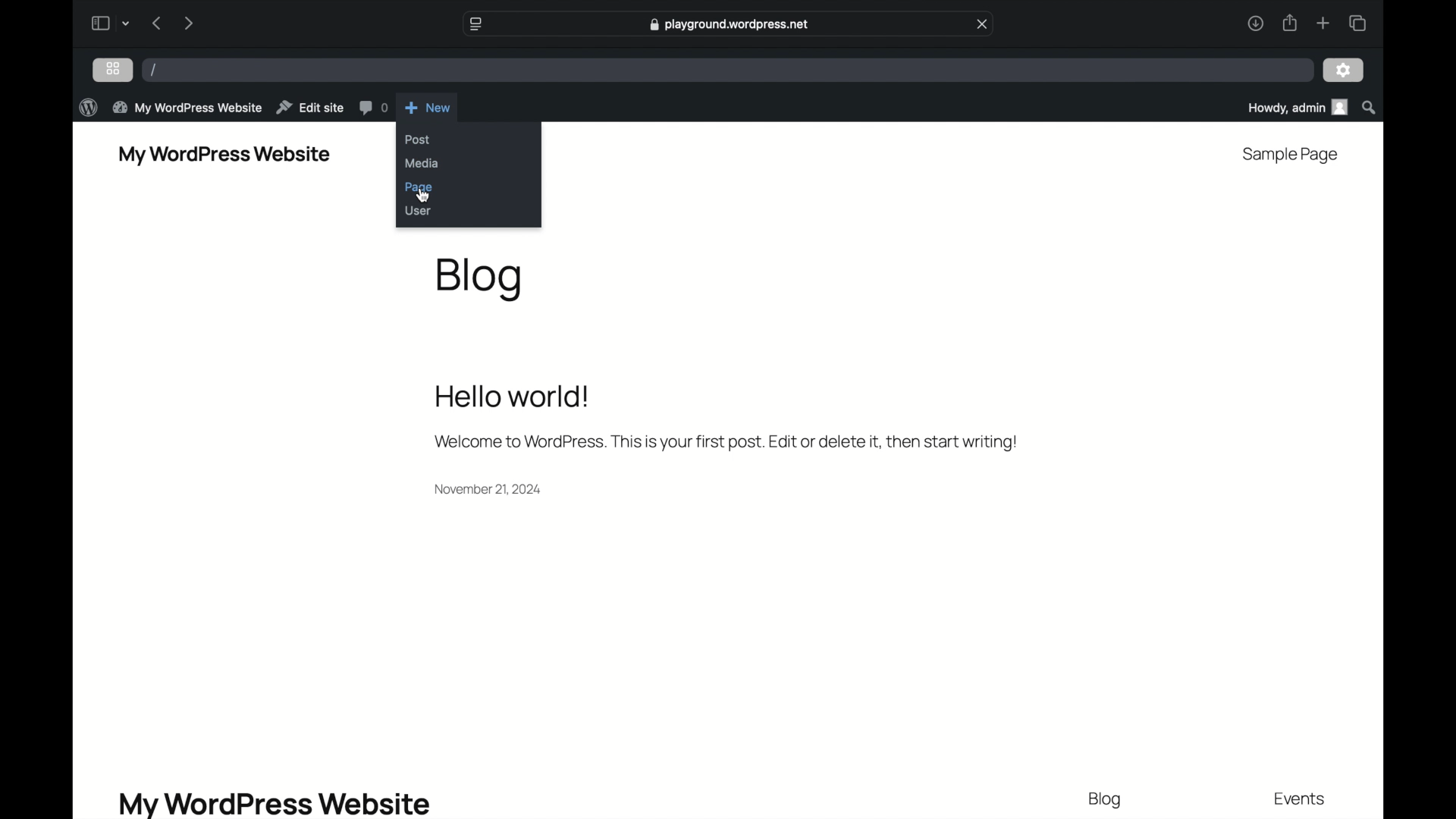 This screenshot has width=1456, height=819. What do you see at coordinates (730, 24) in the screenshot?
I see `web address` at bounding box center [730, 24].